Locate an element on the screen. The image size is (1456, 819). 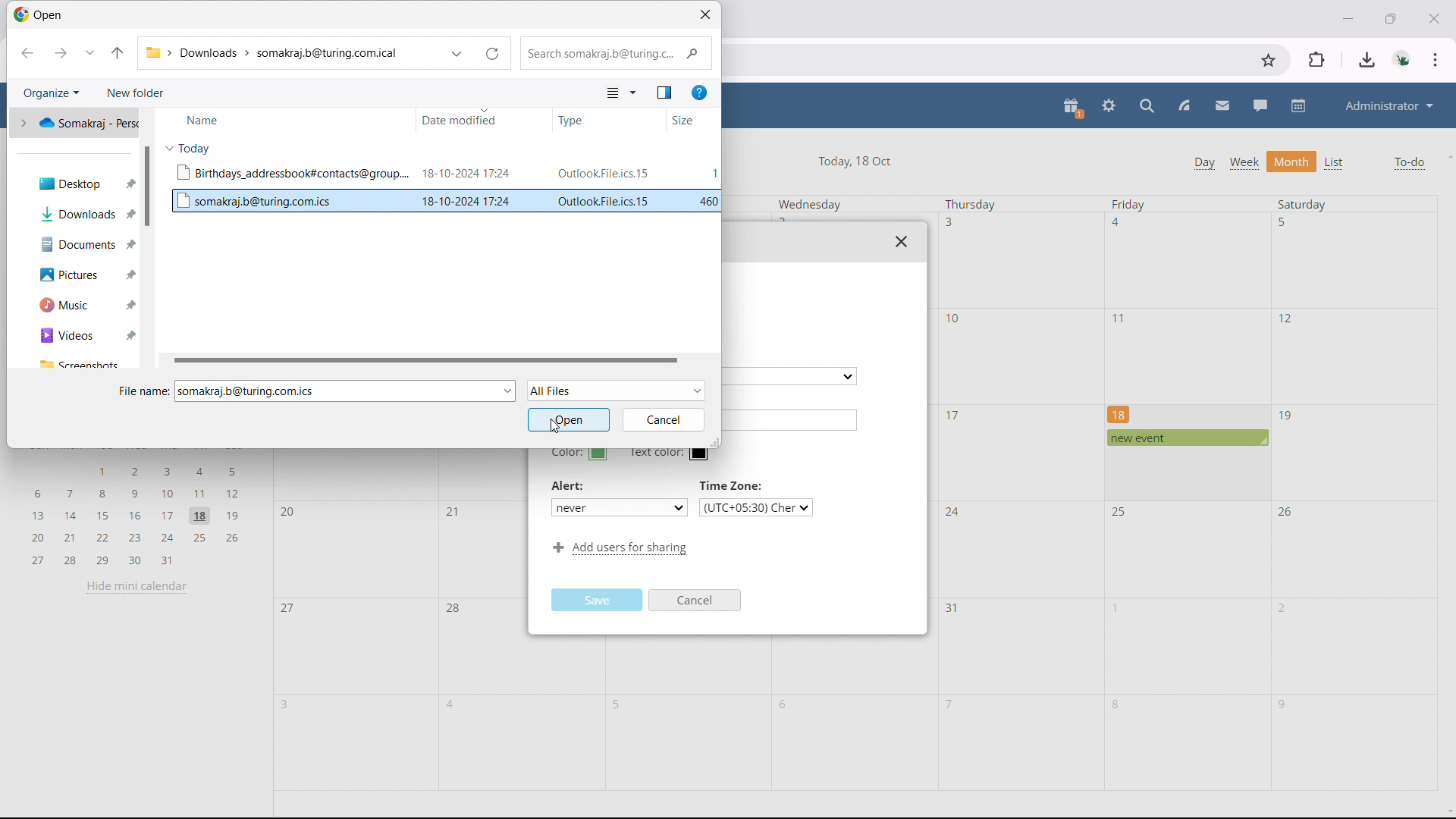
3 is located at coordinates (288, 704).